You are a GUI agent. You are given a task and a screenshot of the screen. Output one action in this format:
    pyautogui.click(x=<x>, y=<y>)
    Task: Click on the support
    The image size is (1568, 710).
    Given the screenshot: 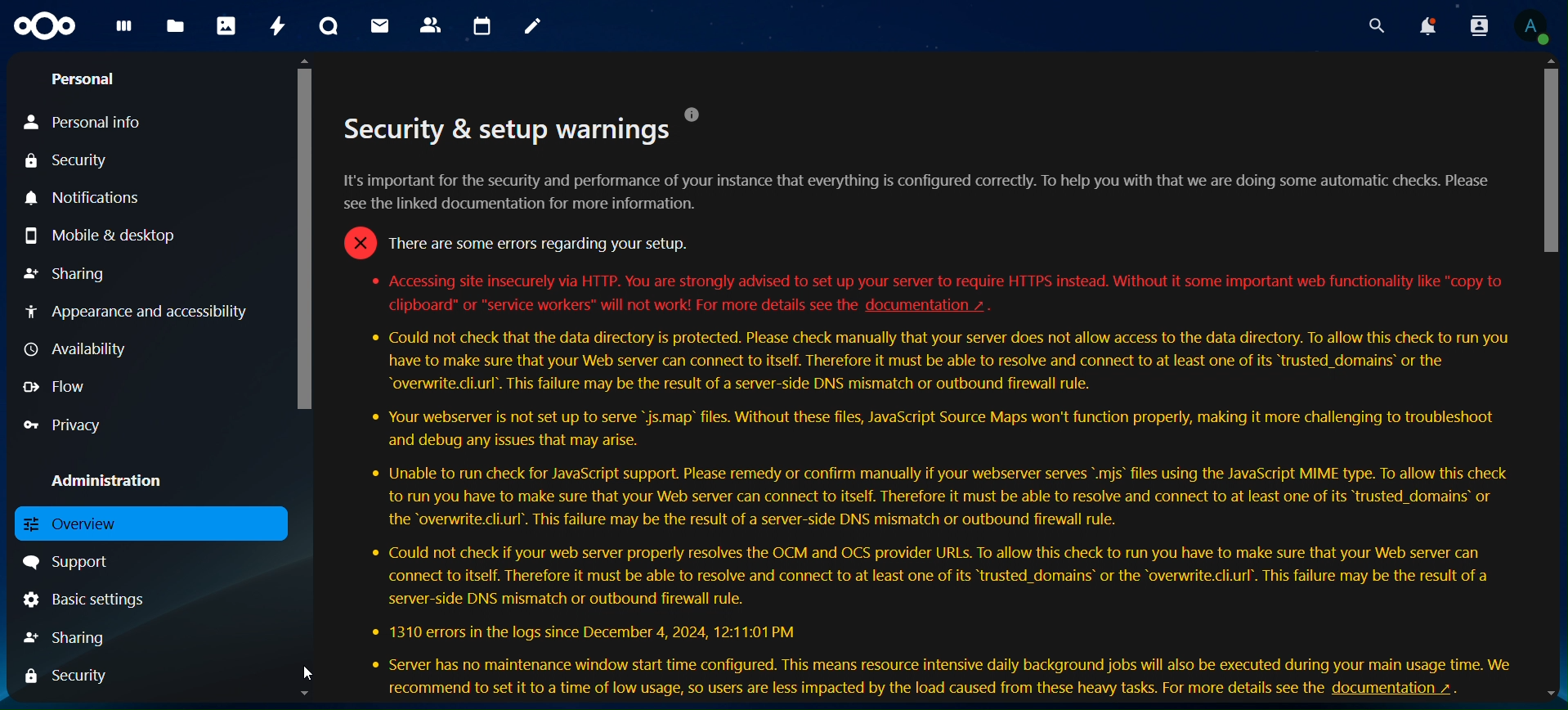 What is the action you would take?
    pyautogui.click(x=65, y=561)
    